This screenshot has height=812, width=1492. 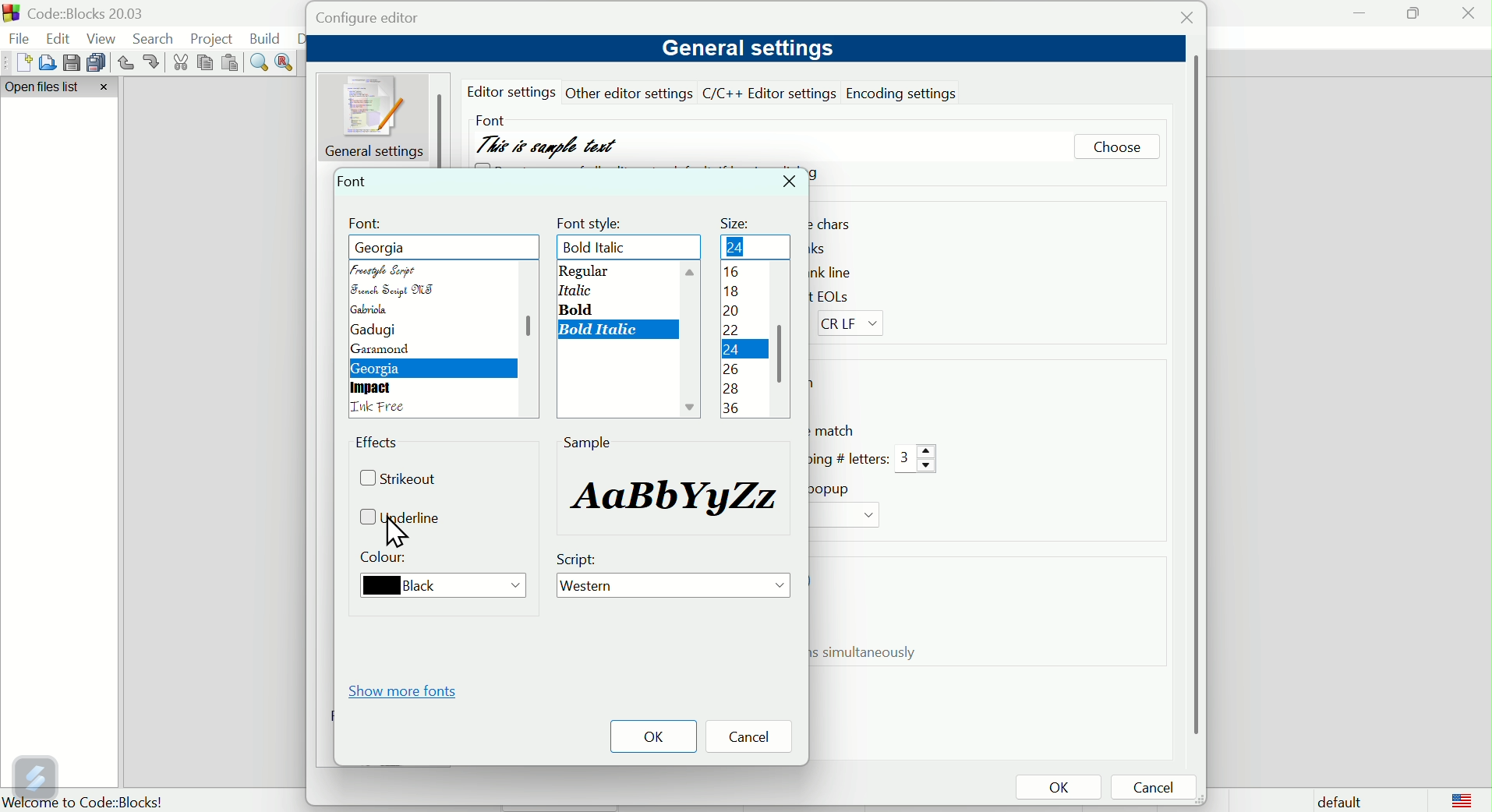 What do you see at coordinates (836, 430) in the screenshot?
I see `match` at bounding box center [836, 430].